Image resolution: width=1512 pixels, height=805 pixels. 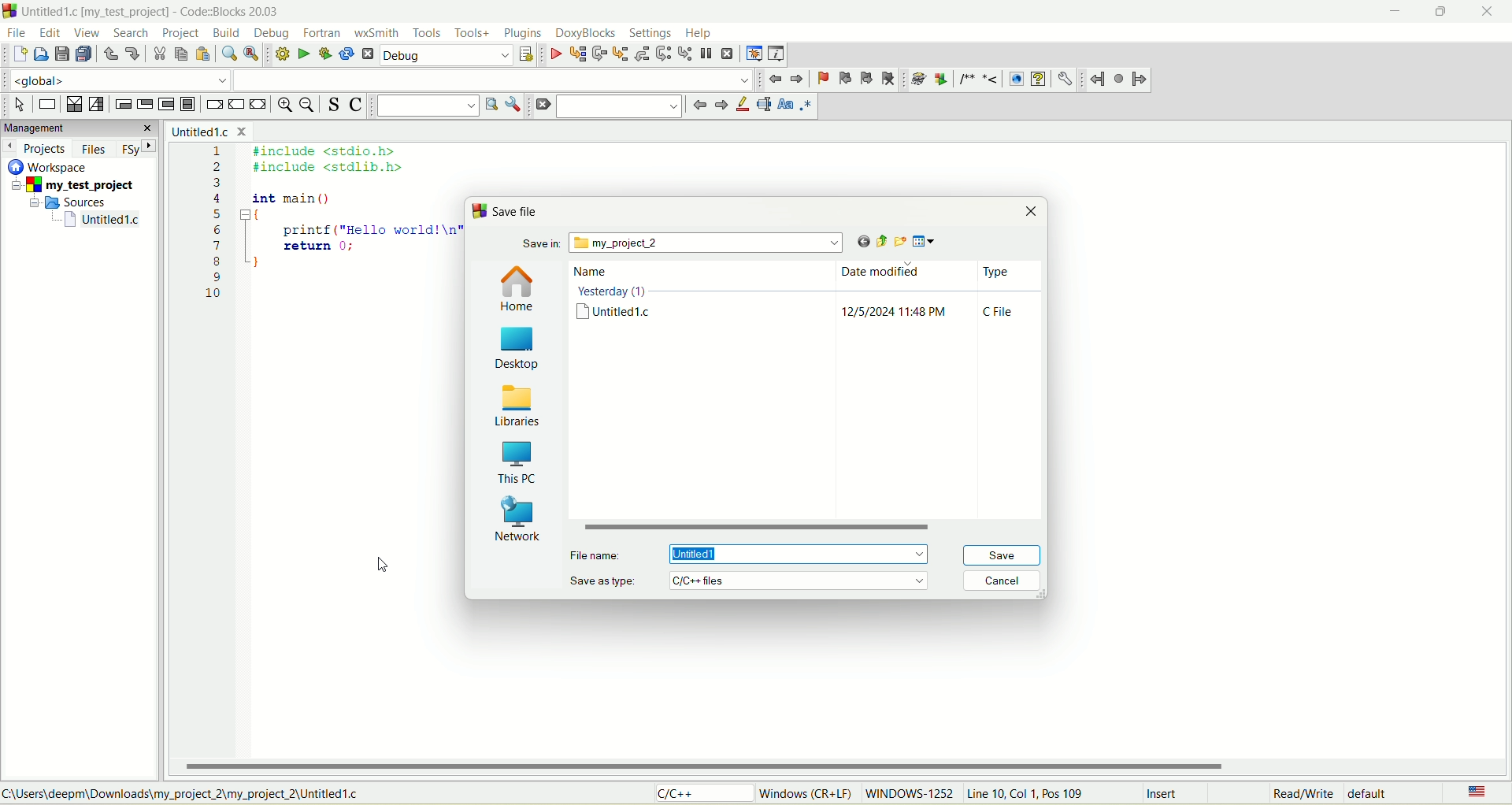 I want to click on build, so click(x=228, y=34).